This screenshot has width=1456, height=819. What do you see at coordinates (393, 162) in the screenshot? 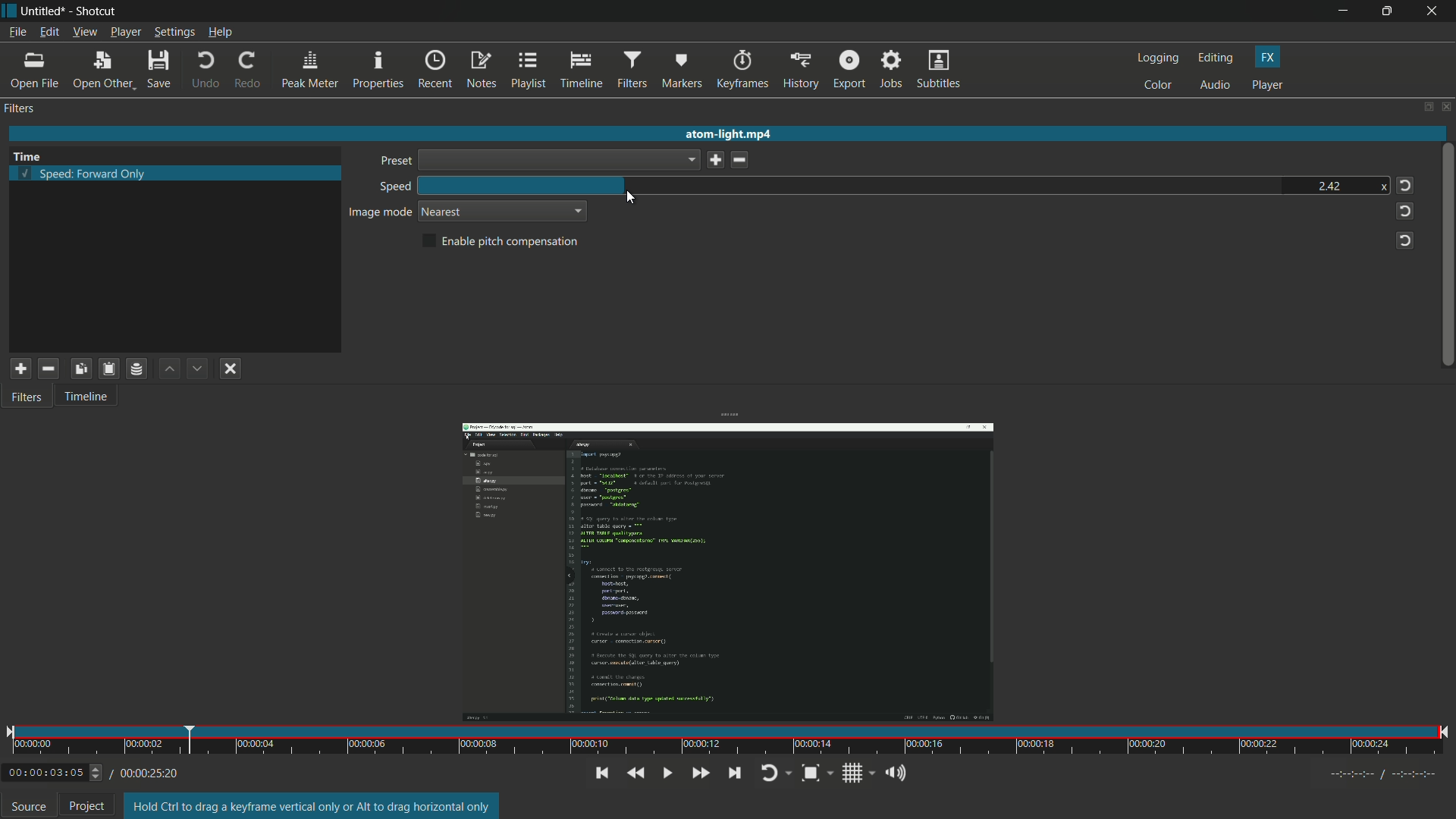
I see `preset` at bounding box center [393, 162].